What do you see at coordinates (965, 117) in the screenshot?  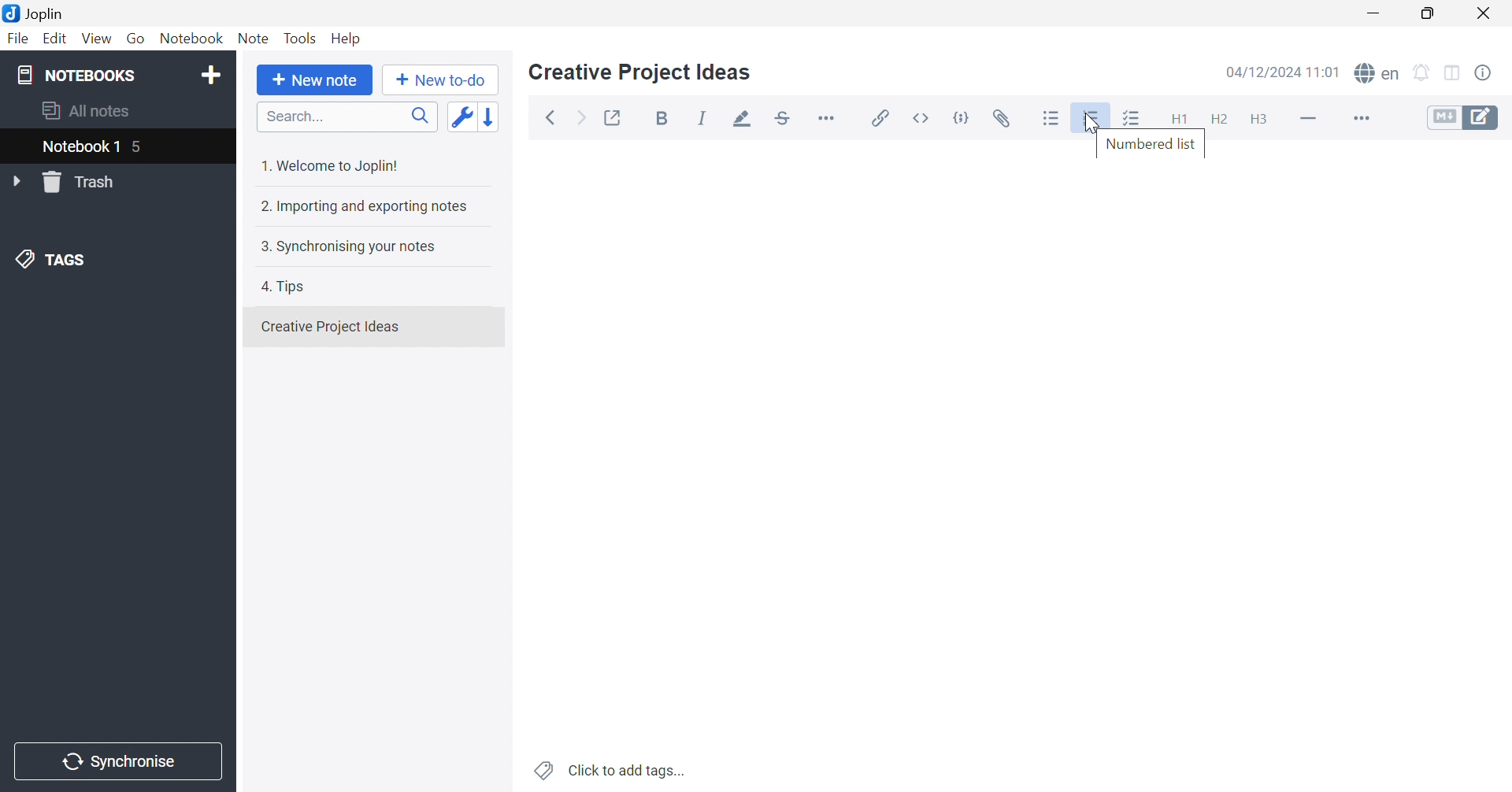 I see `Code` at bounding box center [965, 117].